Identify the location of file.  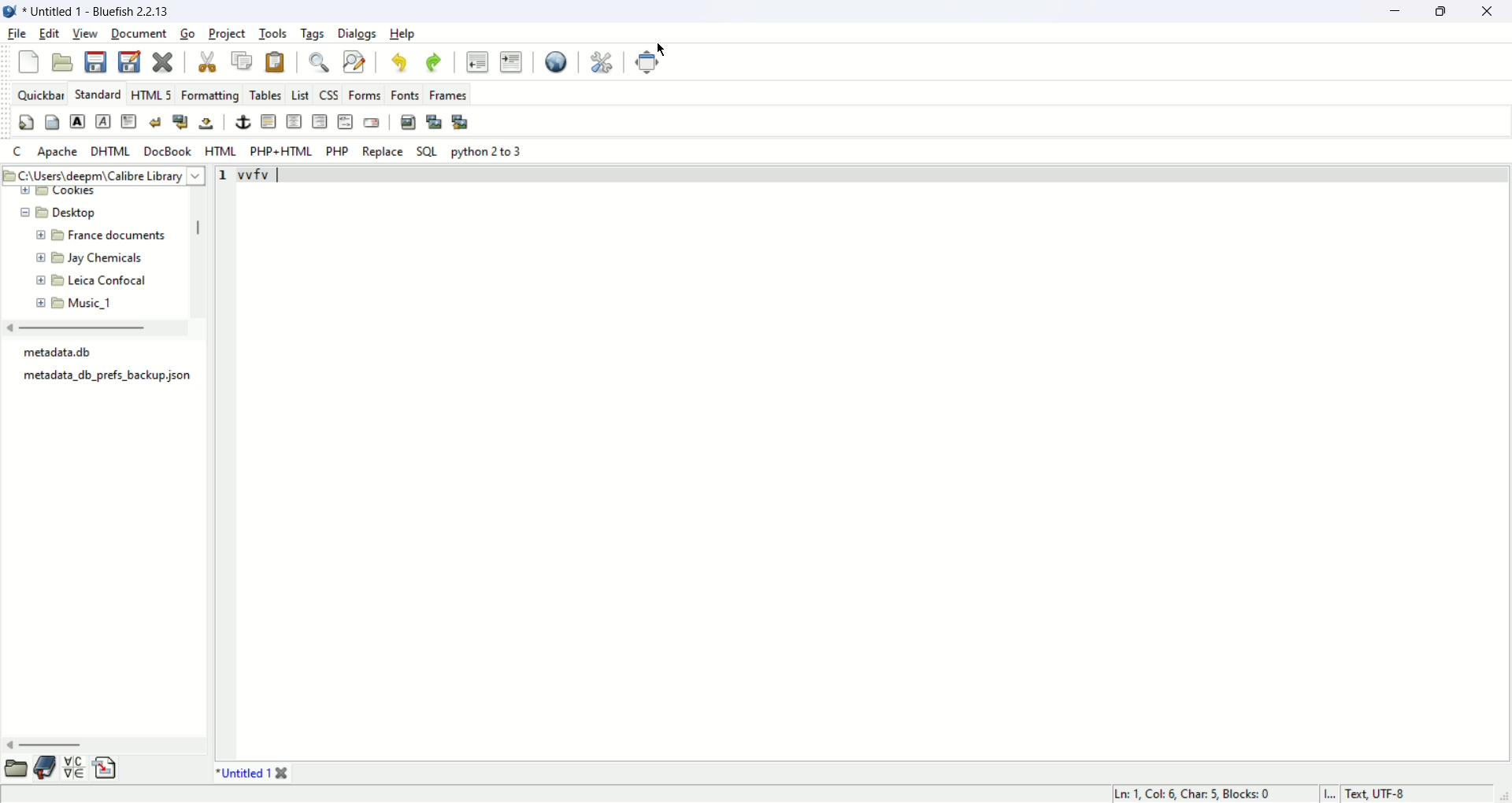
(17, 35).